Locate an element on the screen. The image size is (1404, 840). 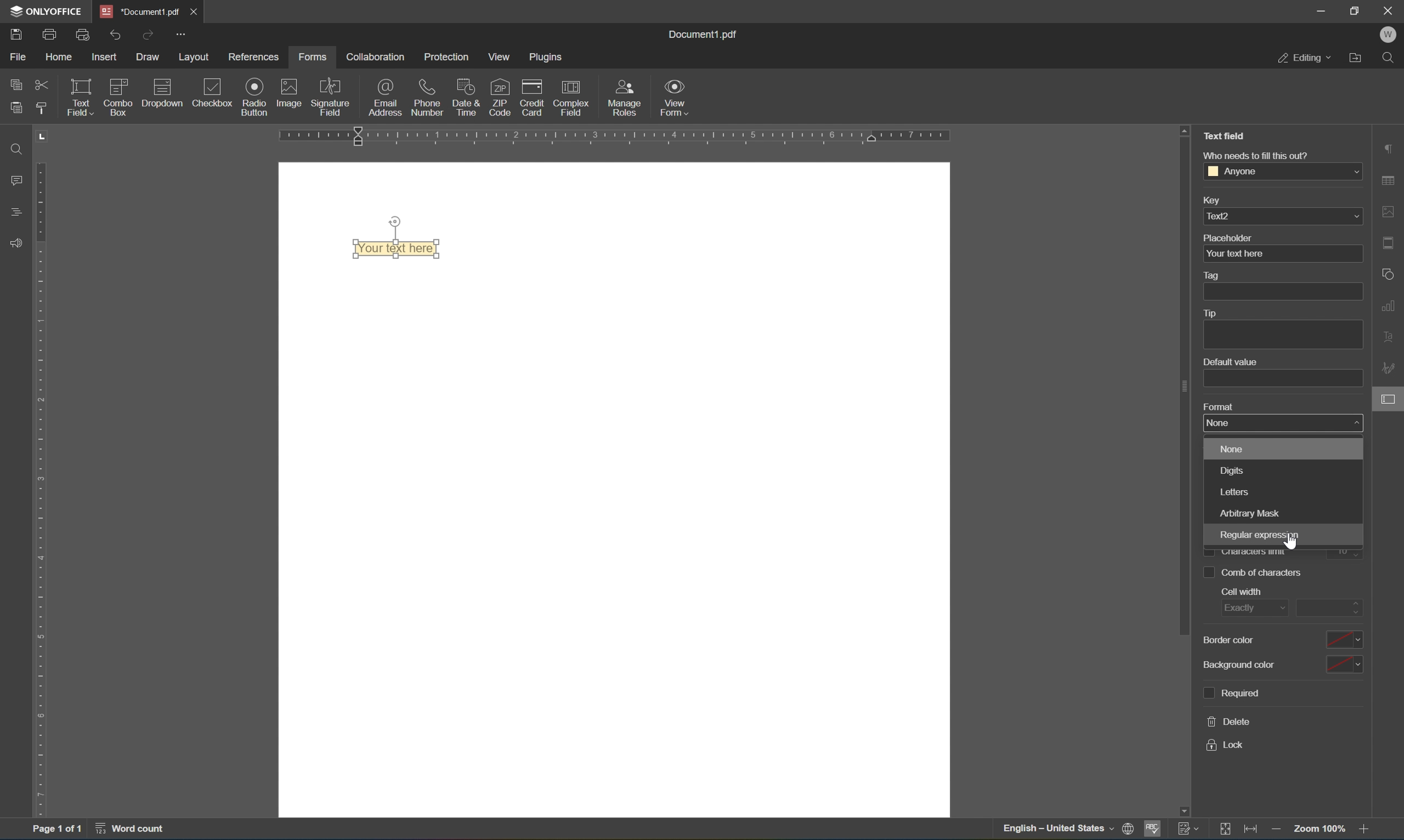
file is located at coordinates (15, 56).